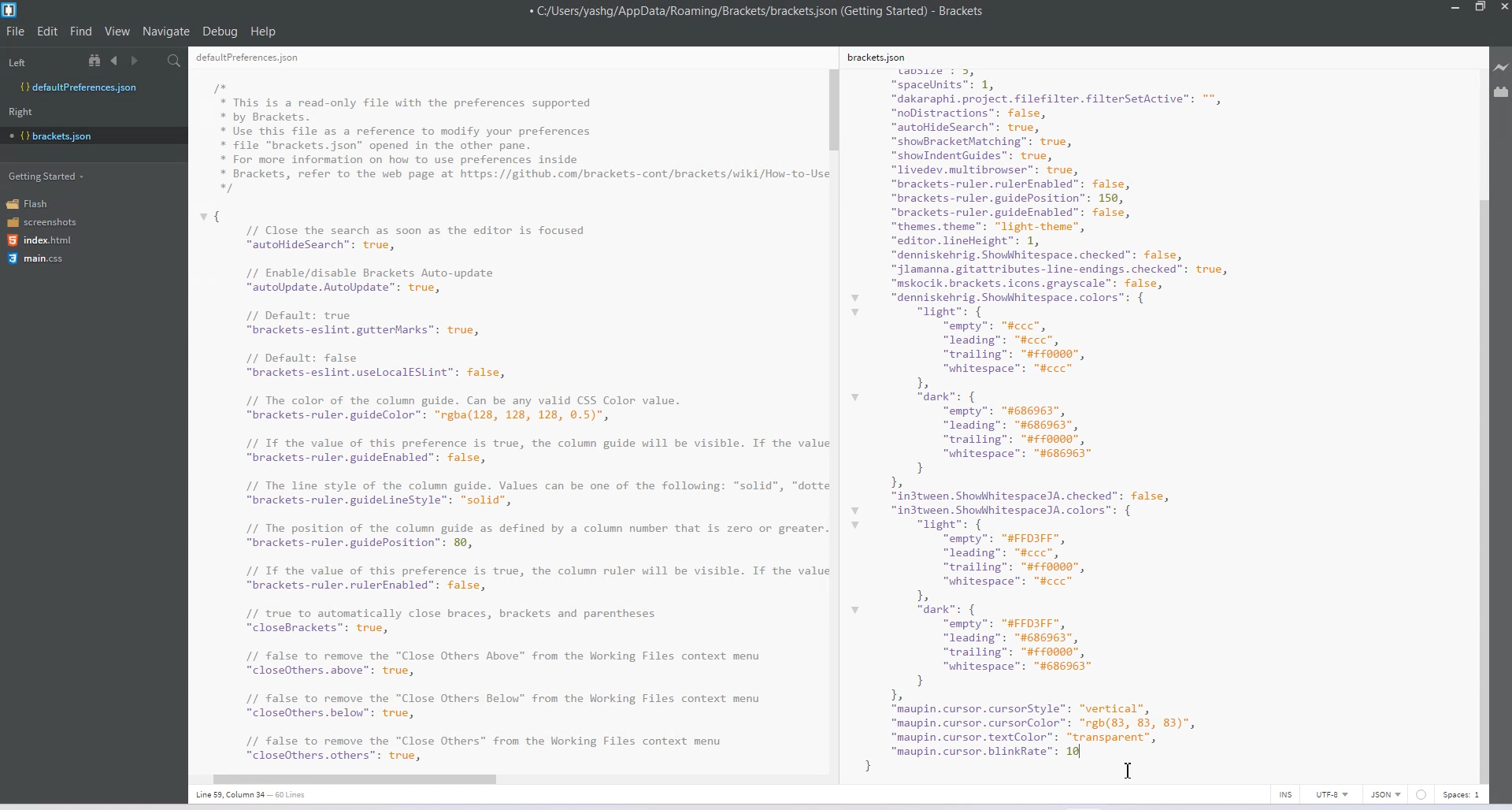 Image resolution: width=1512 pixels, height=810 pixels. I want to click on Left, so click(17, 63).